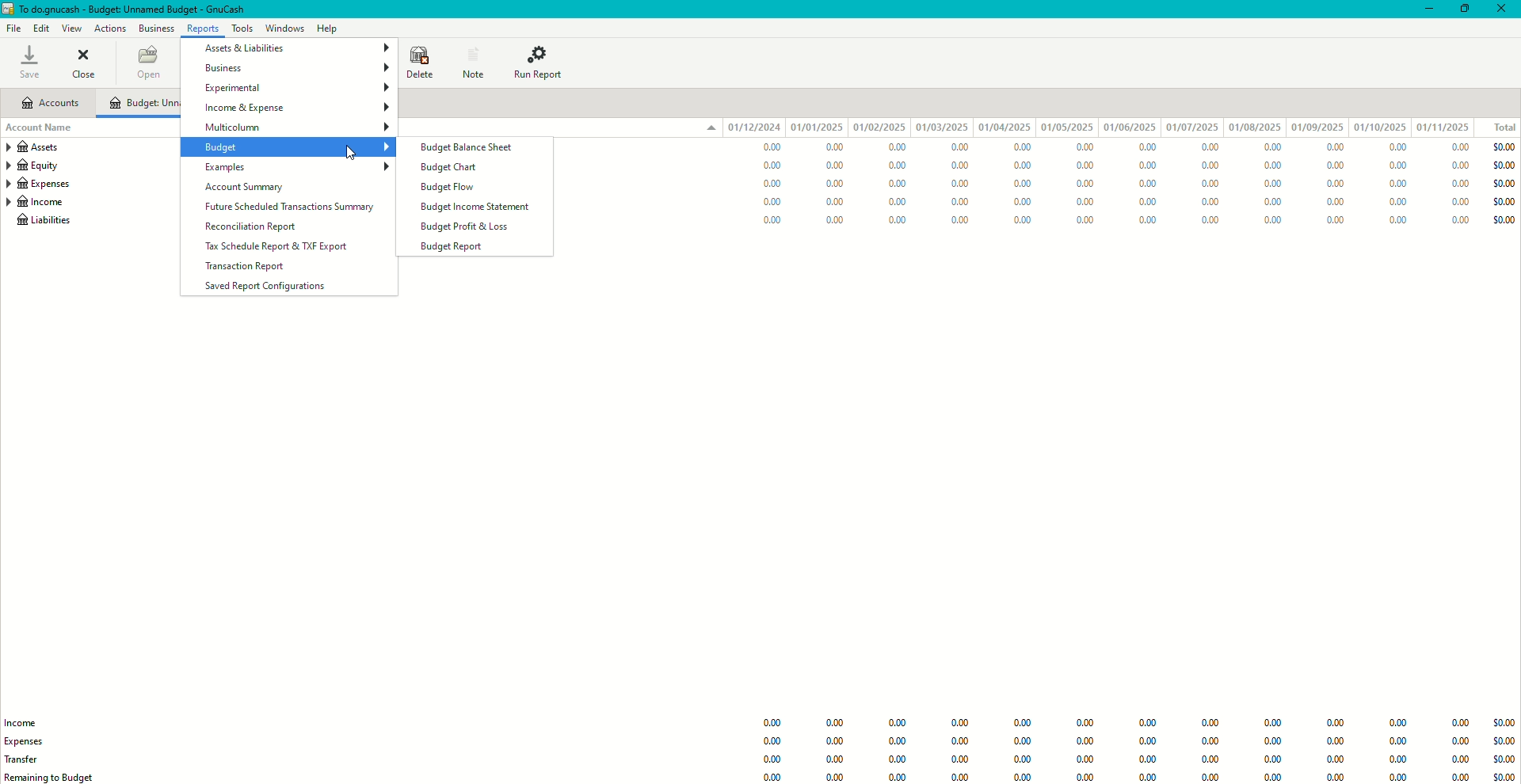 The height and width of the screenshot is (784, 1521). Describe the element at coordinates (1147, 199) in the screenshot. I see `0.00` at that location.